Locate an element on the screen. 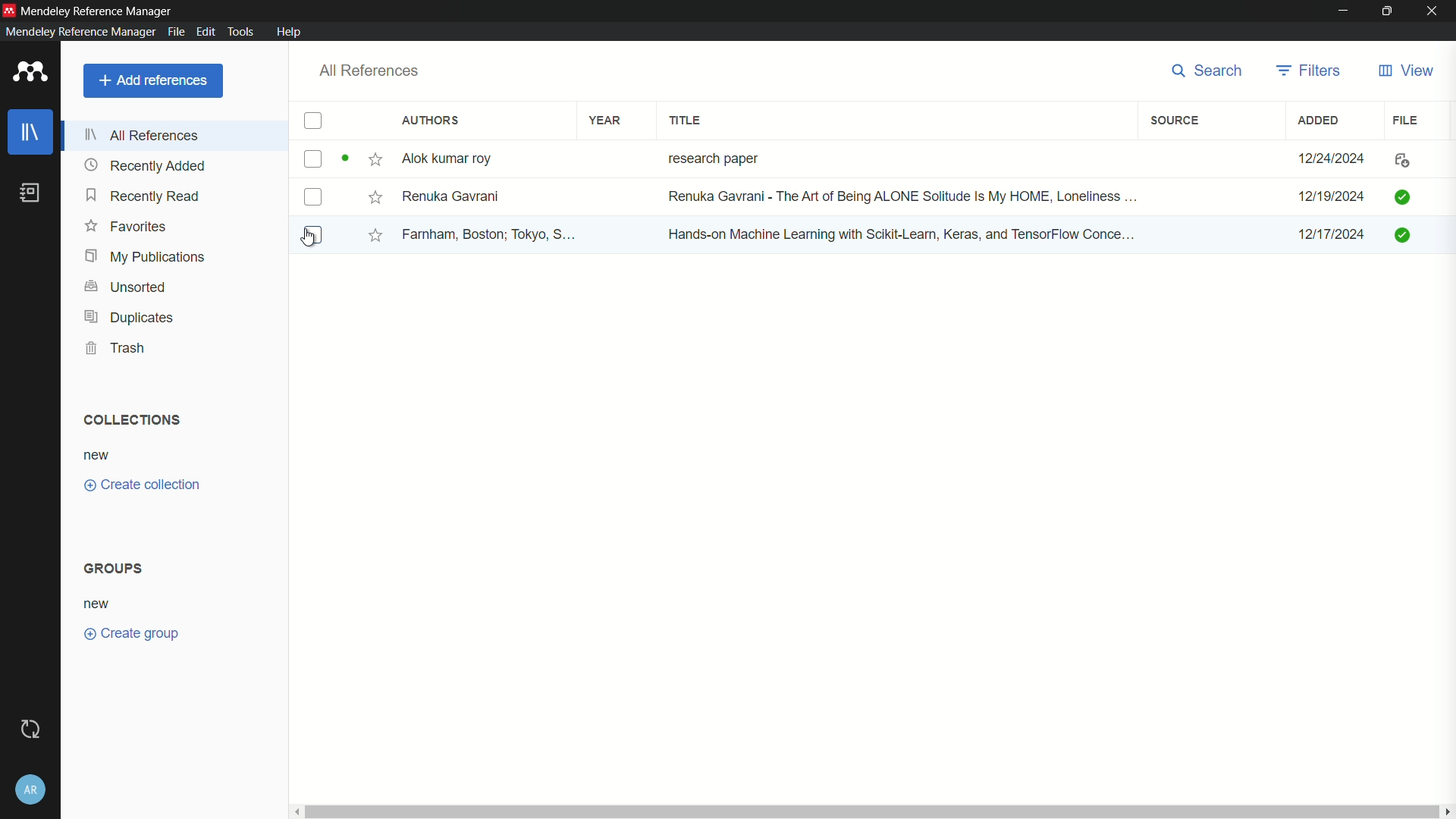  all references is located at coordinates (142, 137).